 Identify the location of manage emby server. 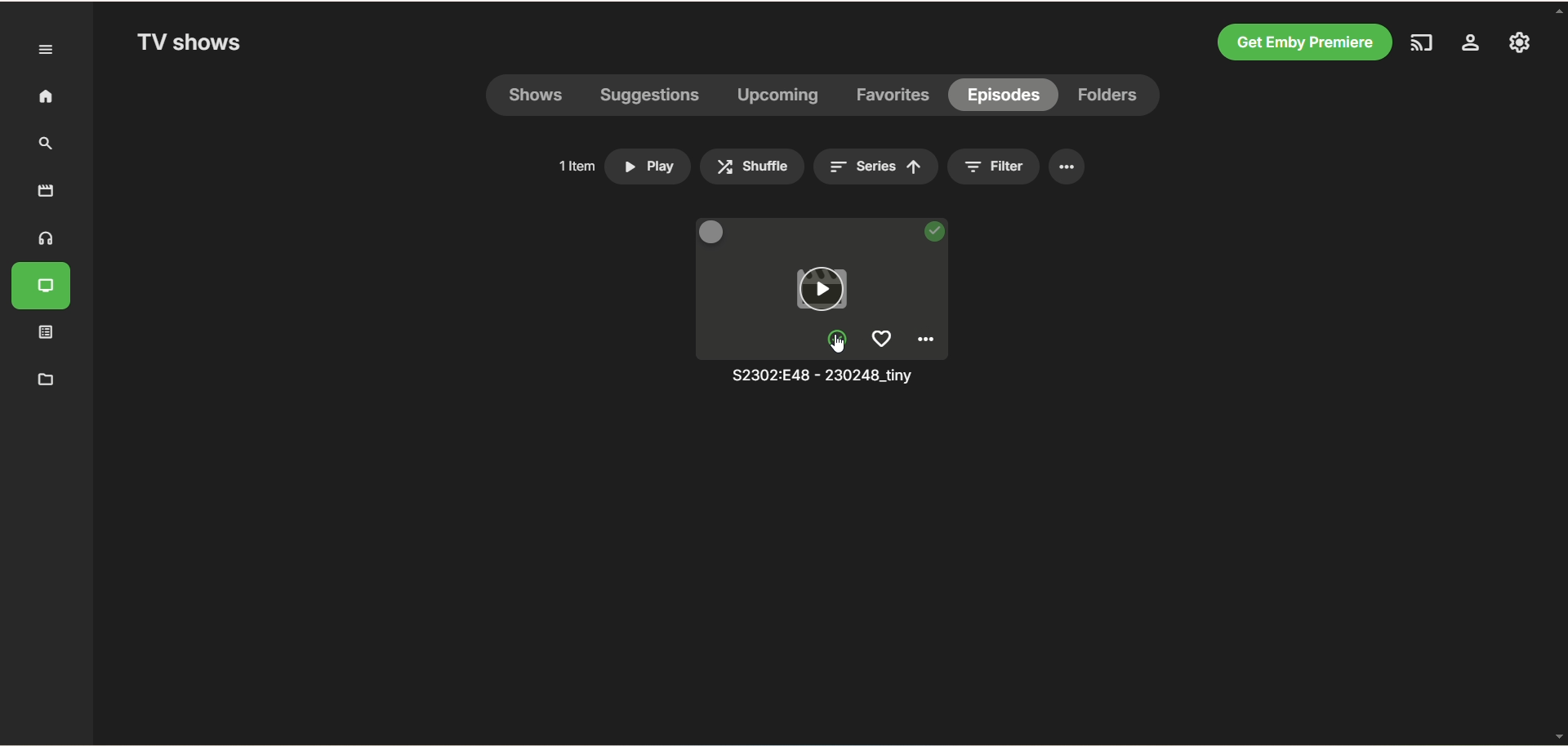
(1518, 42).